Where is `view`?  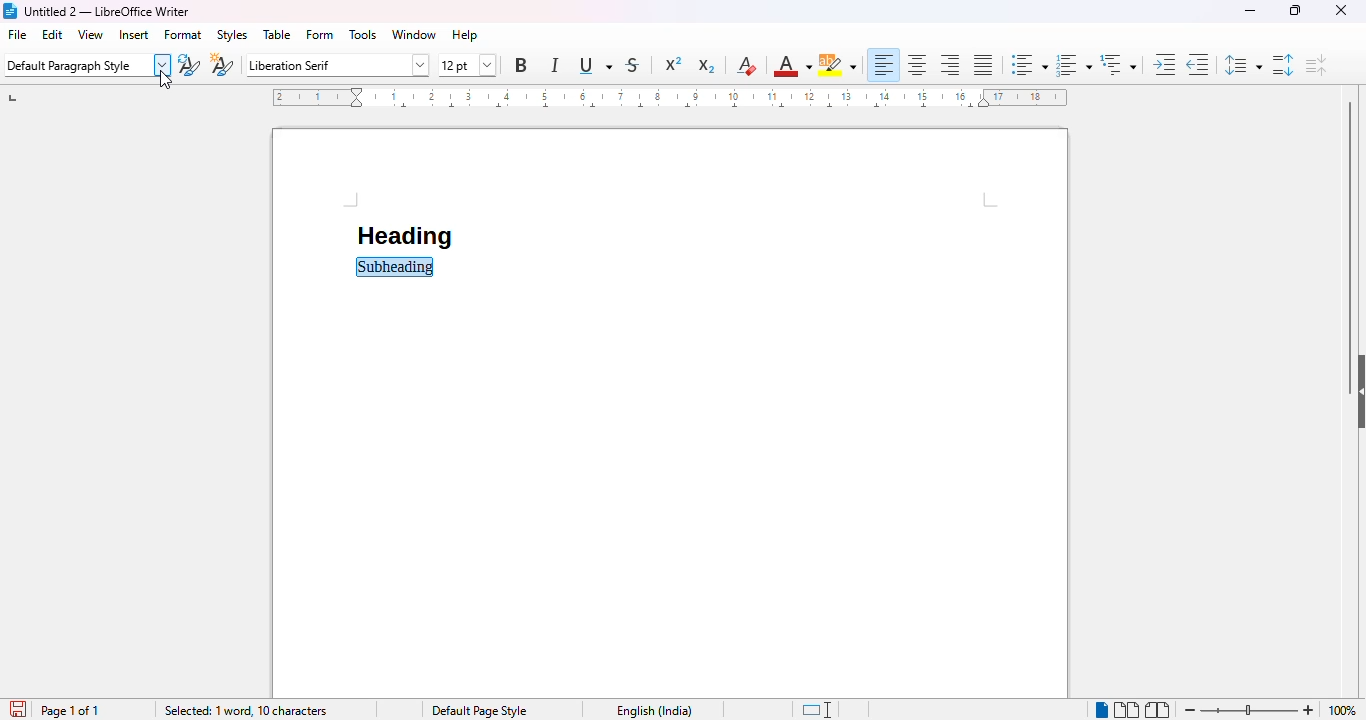
view is located at coordinates (91, 34).